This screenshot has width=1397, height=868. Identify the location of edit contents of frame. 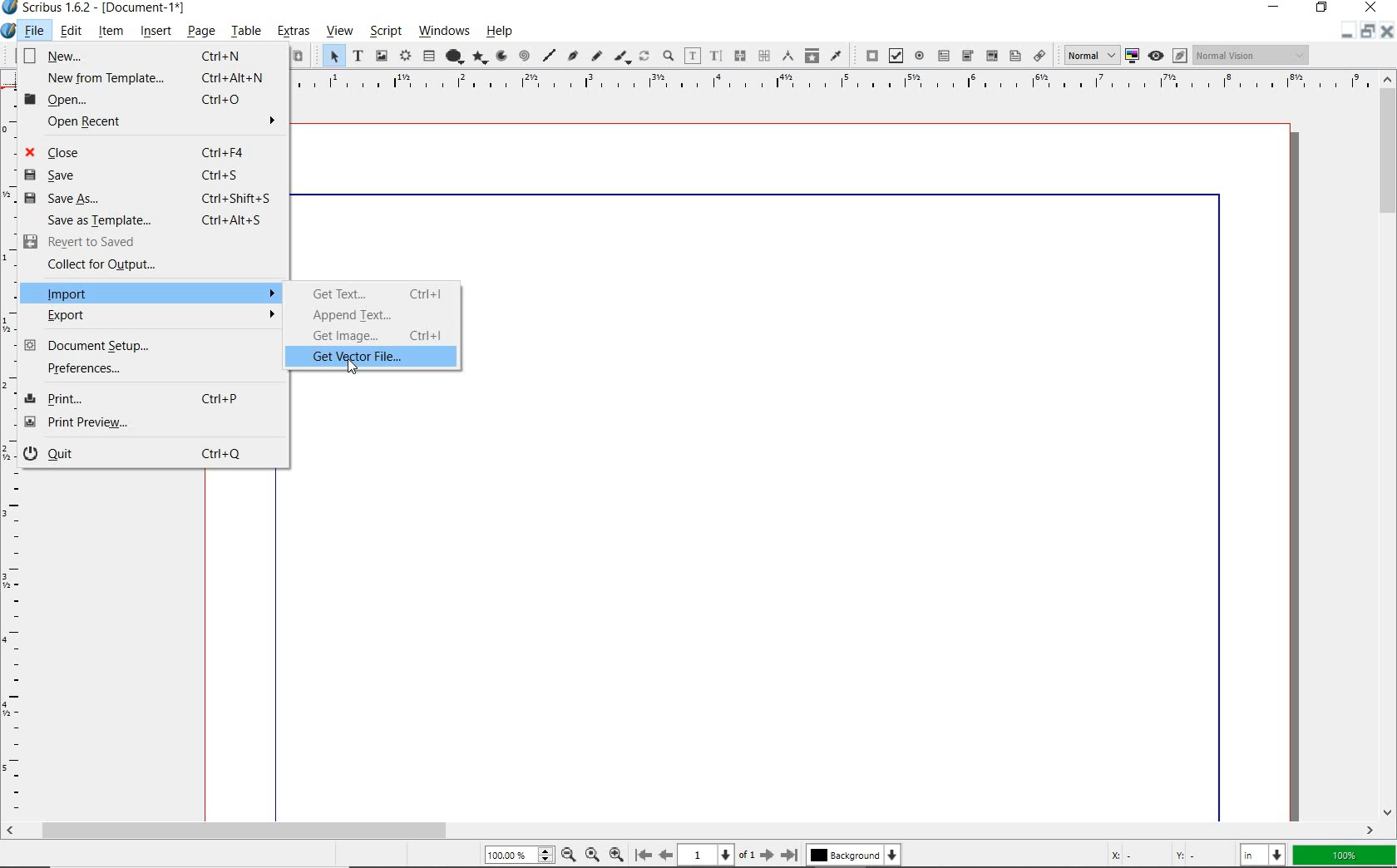
(694, 57).